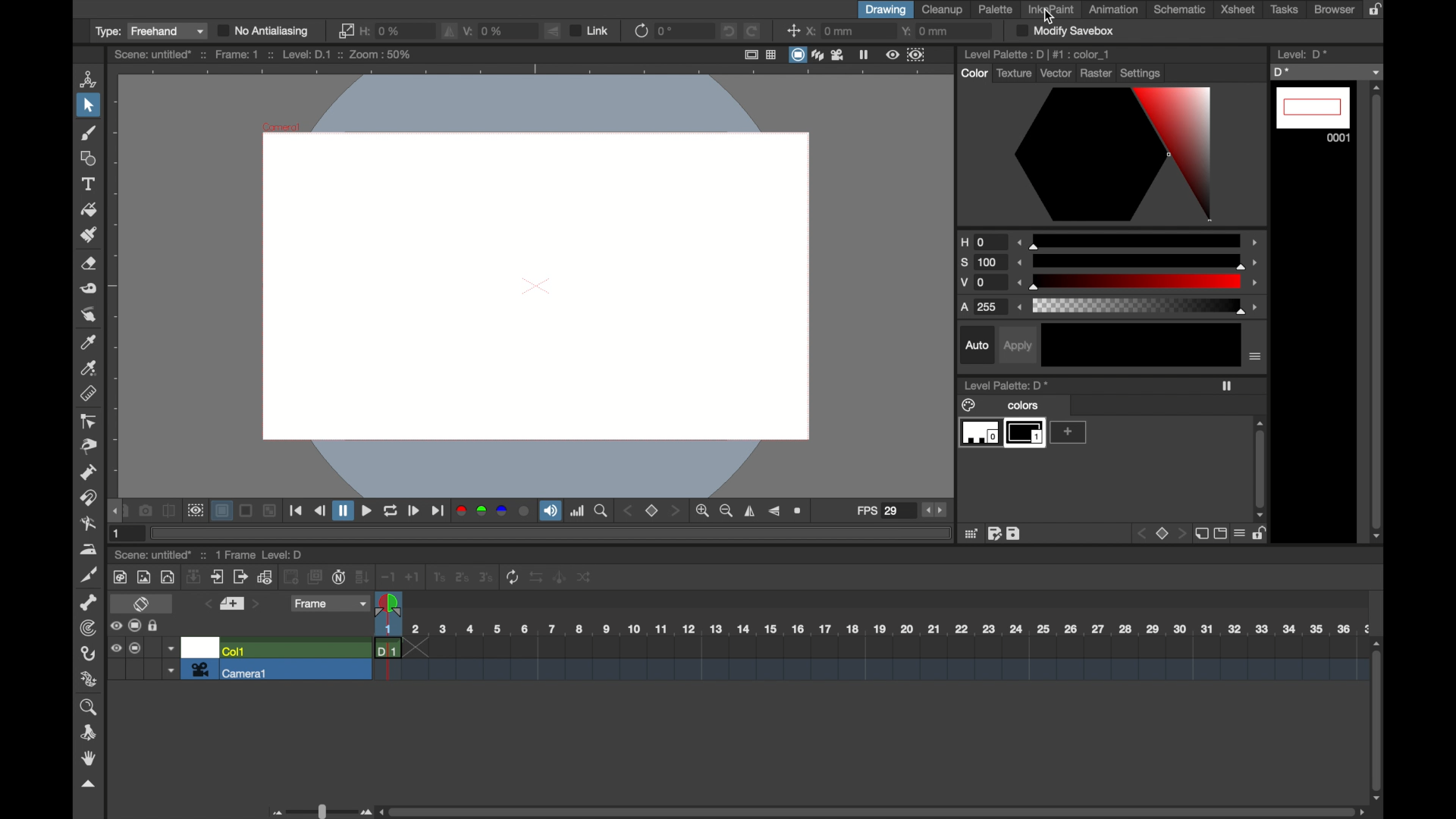 Image resolution: width=1456 pixels, height=819 pixels. What do you see at coordinates (89, 759) in the screenshot?
I see `hand tool` at bounding box center [89, 759].